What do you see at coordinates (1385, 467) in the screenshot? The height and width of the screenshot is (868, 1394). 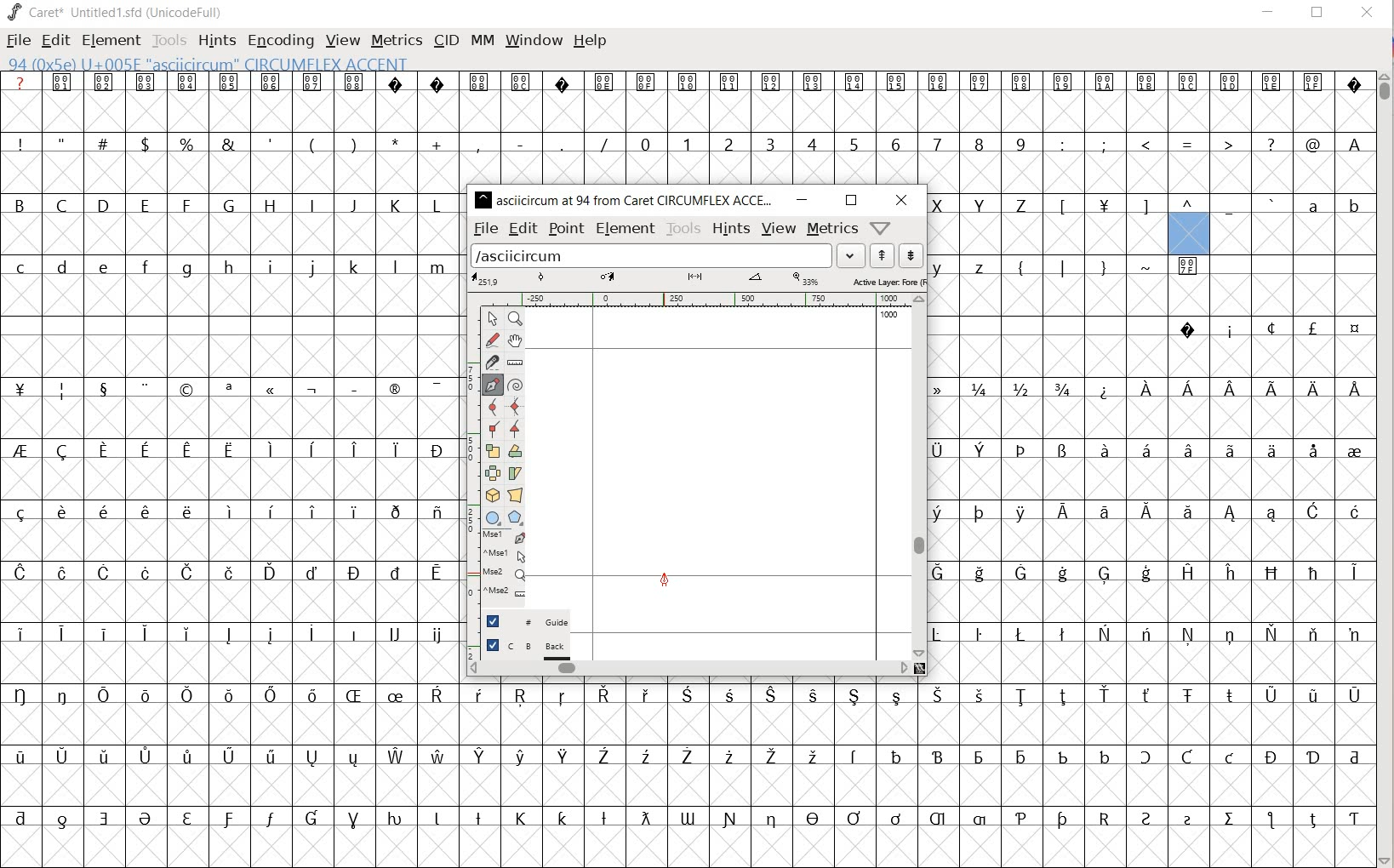 I see `SCROLLBAR` at bounding box center [1385, 467].